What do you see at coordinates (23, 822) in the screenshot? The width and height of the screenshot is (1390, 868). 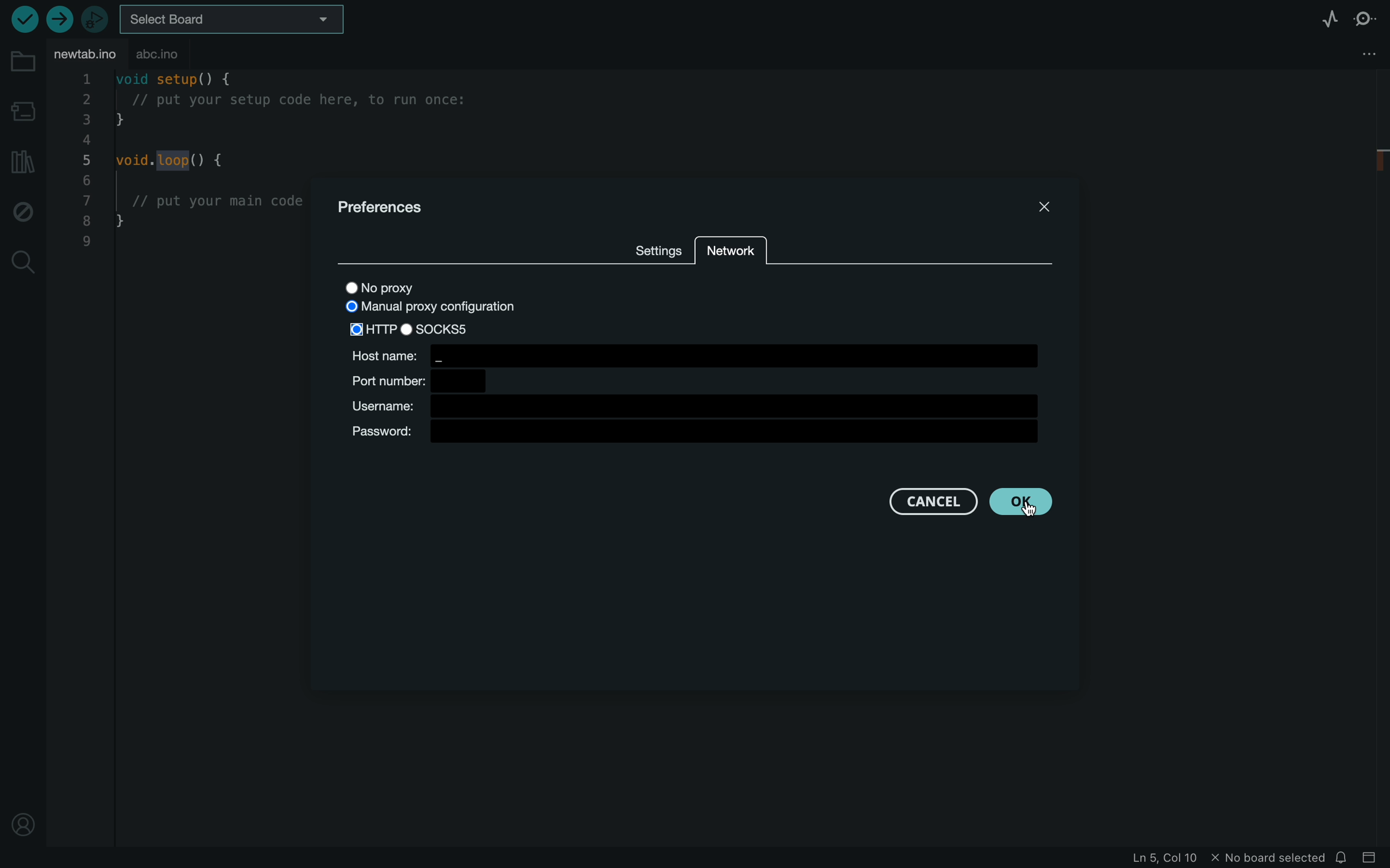 I see `profile` at bounding box center [23, 822].